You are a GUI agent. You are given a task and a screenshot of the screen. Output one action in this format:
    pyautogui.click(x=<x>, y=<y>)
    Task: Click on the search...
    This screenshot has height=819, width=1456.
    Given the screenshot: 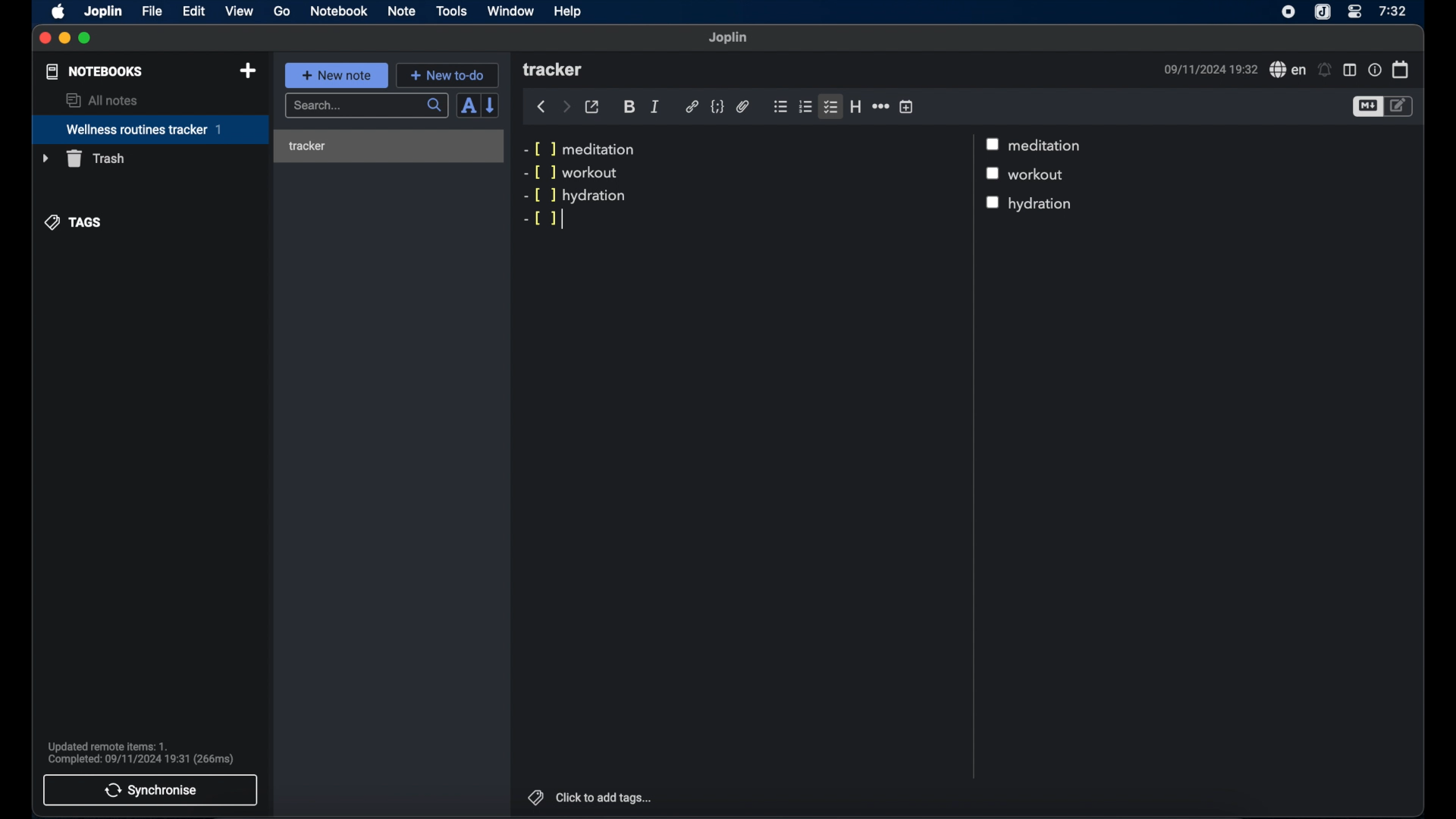 What is the action you would take?
    pyautogui.click(x=368, y=106)
    